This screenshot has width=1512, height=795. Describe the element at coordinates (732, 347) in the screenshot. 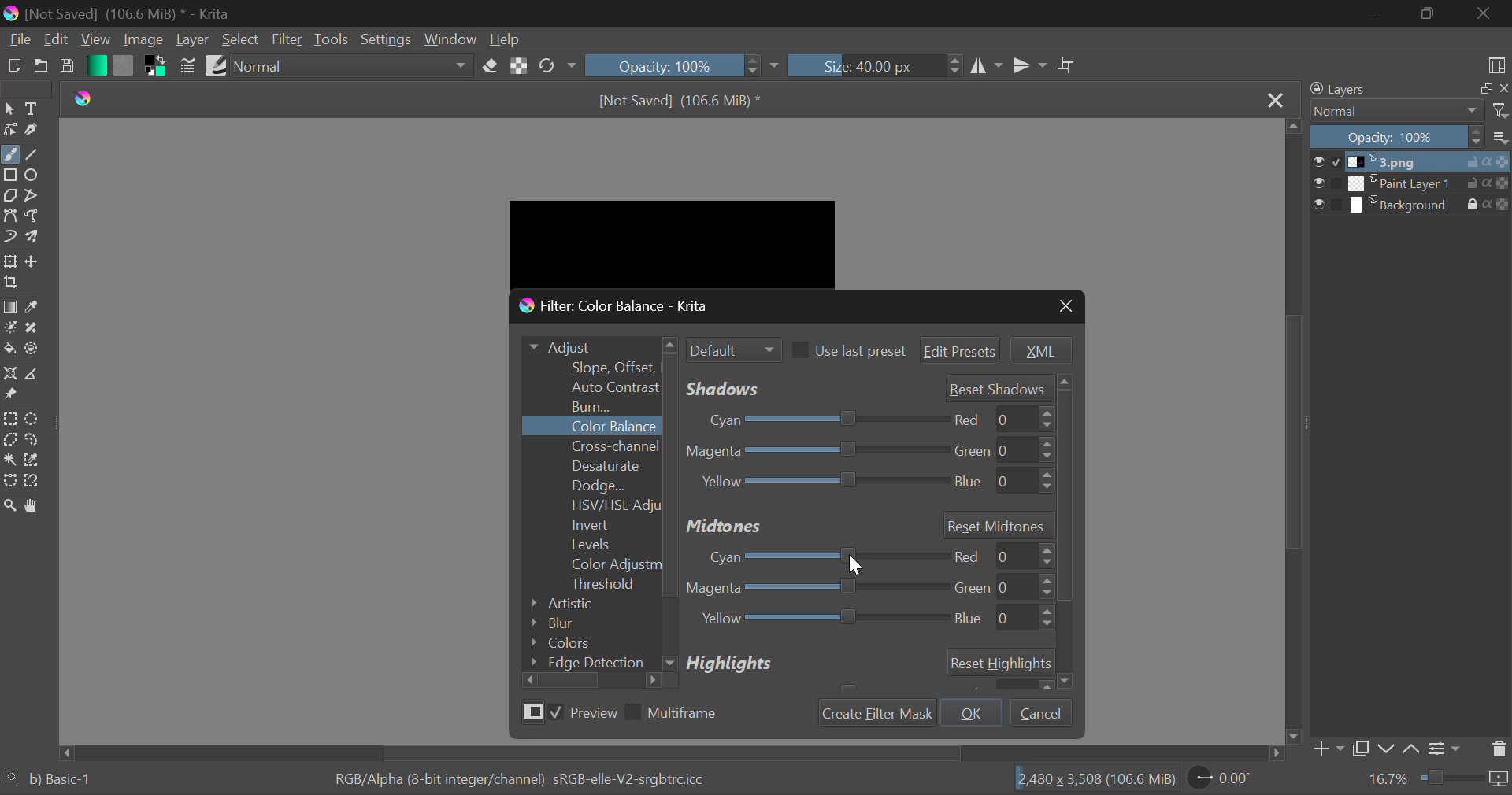

I see `Filter Mode` at that location.